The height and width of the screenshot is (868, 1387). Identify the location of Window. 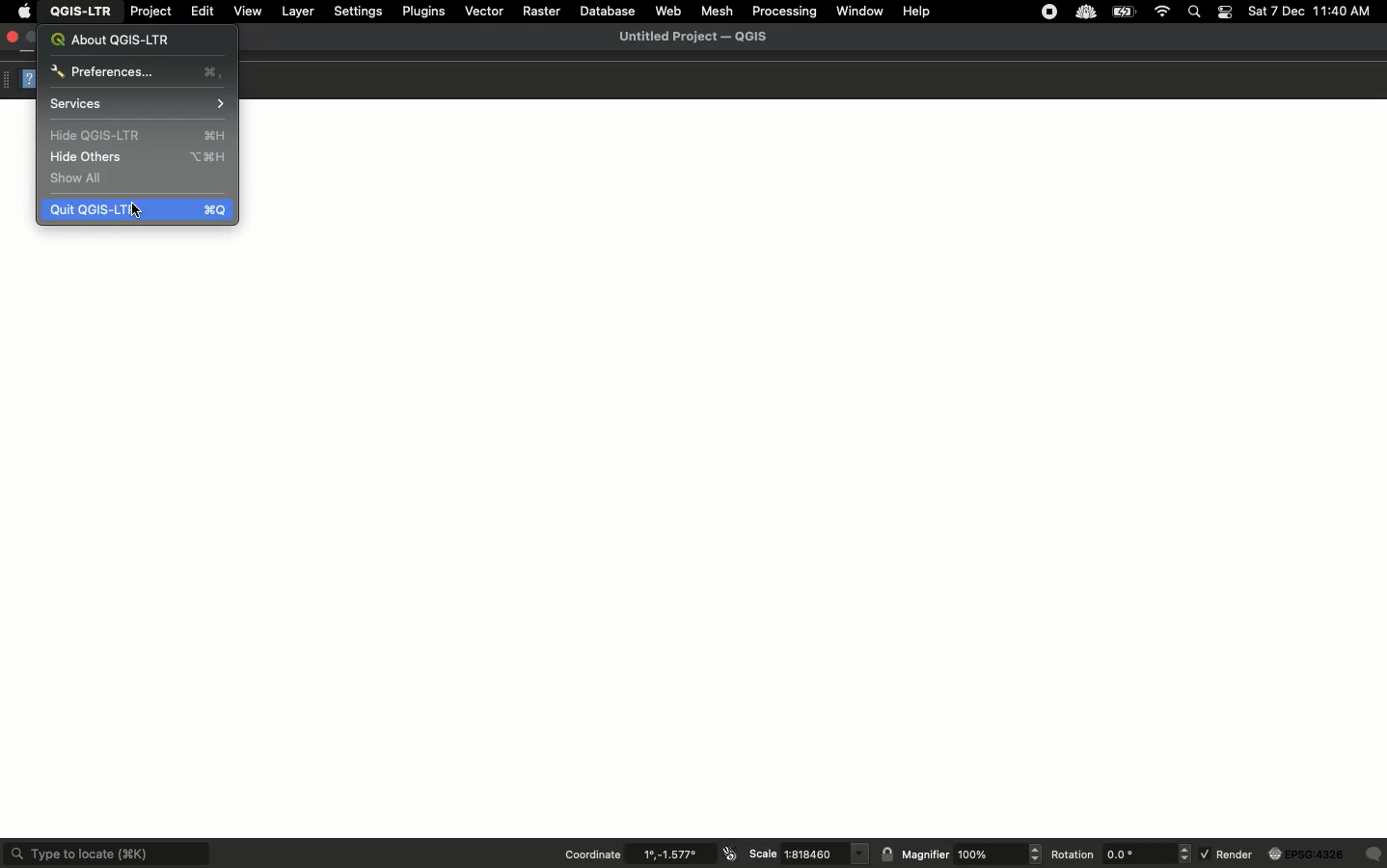
(859, 11).